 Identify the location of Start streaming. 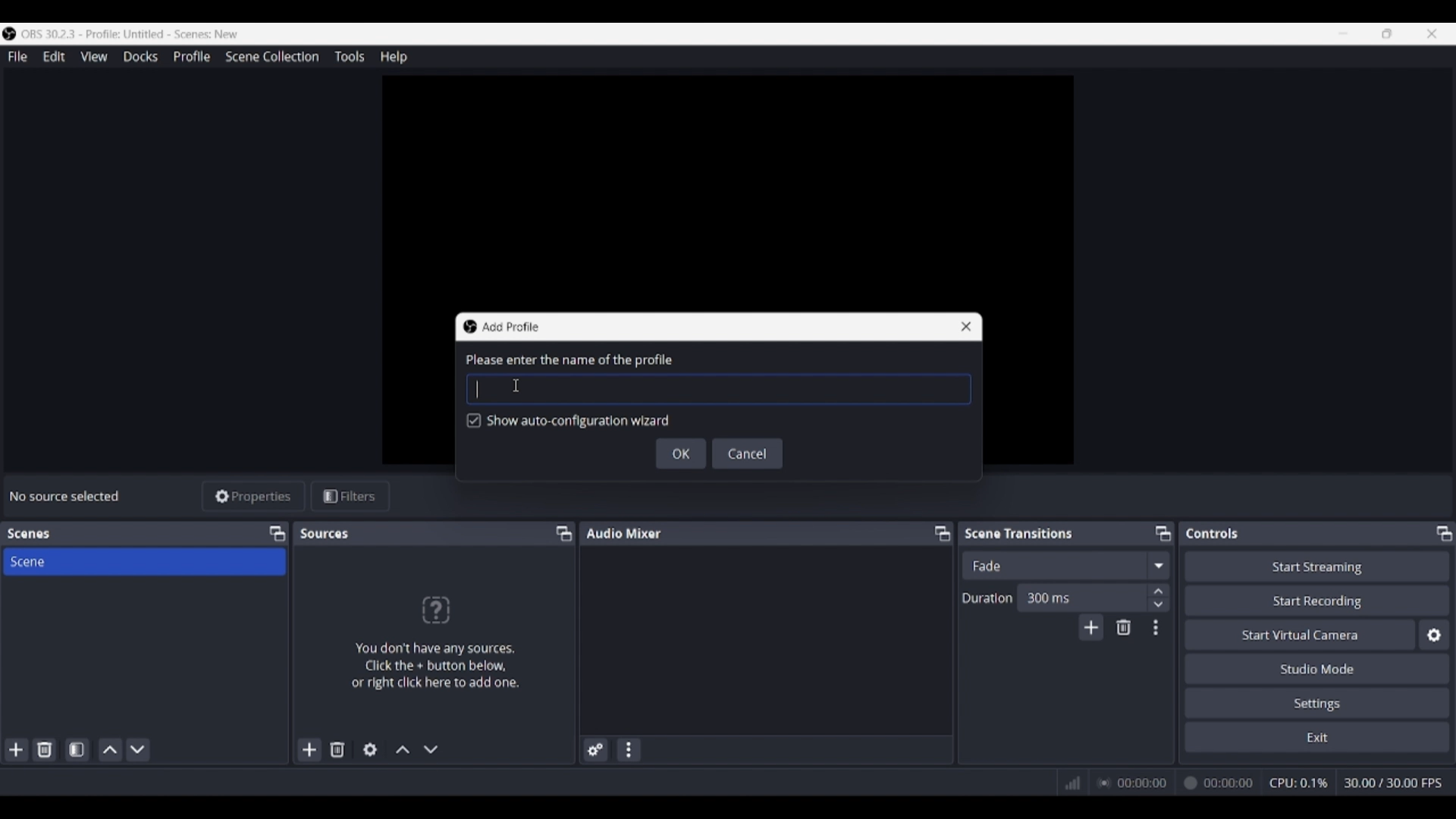
(1318, 566).